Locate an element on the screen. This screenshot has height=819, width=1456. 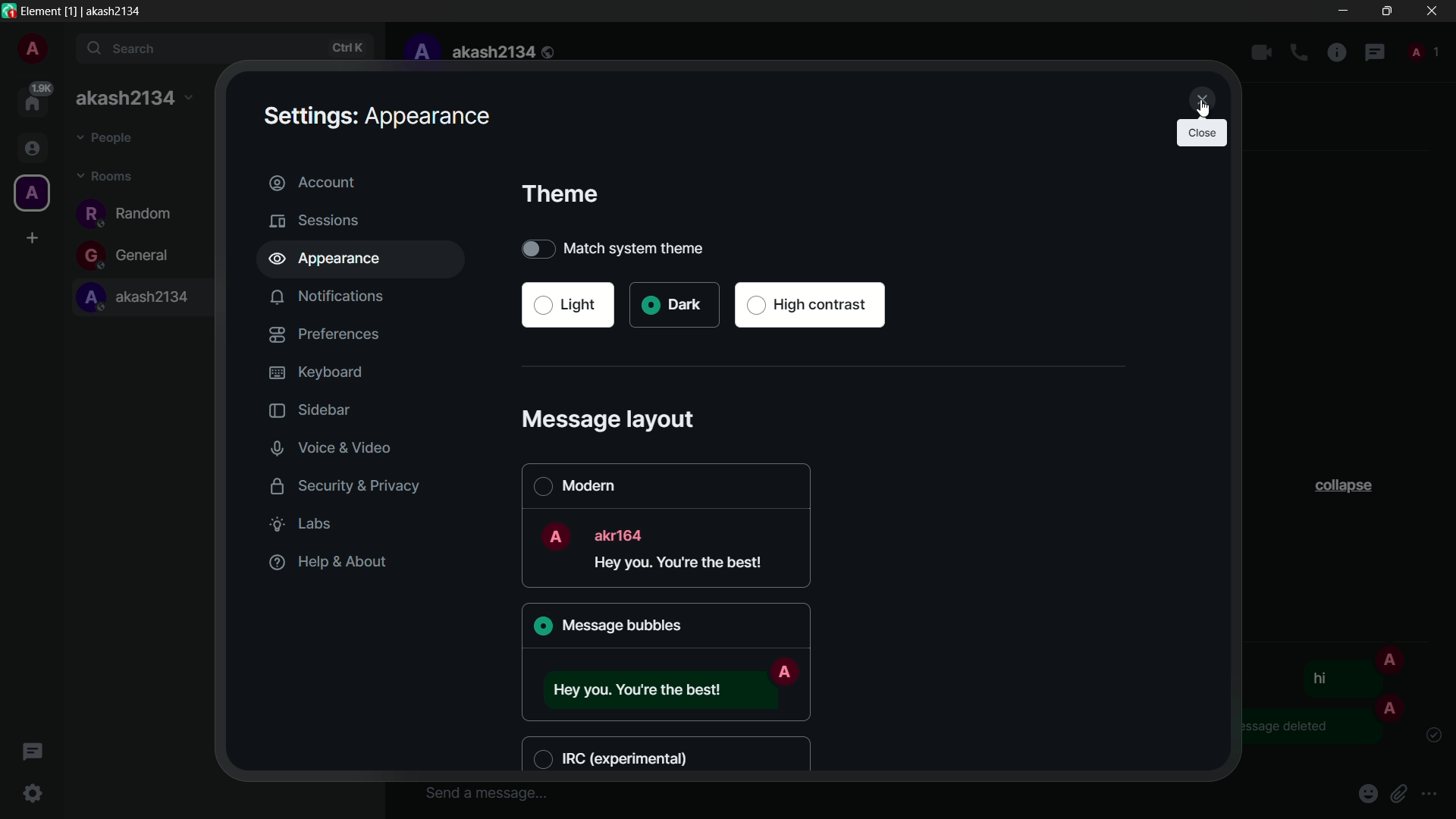
sidebar is located at coordinates (306, 411).